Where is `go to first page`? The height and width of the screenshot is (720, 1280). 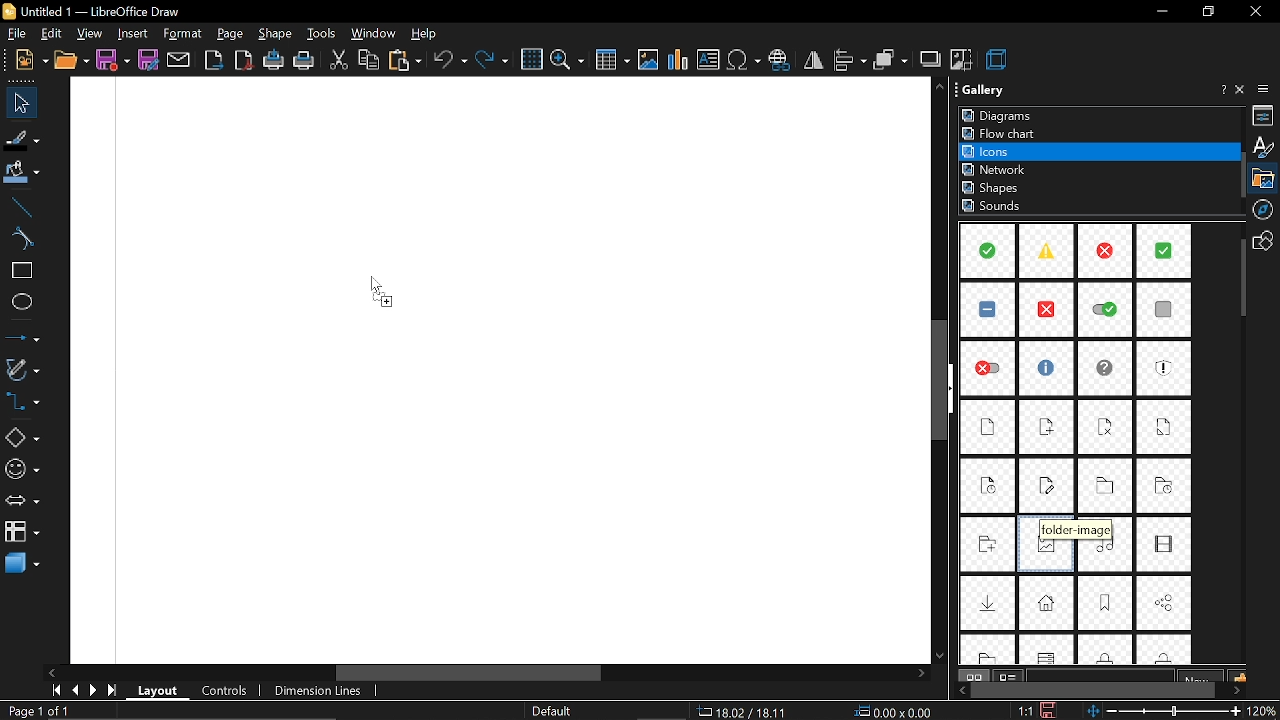 go to first page is located at coordinates (53, 690).